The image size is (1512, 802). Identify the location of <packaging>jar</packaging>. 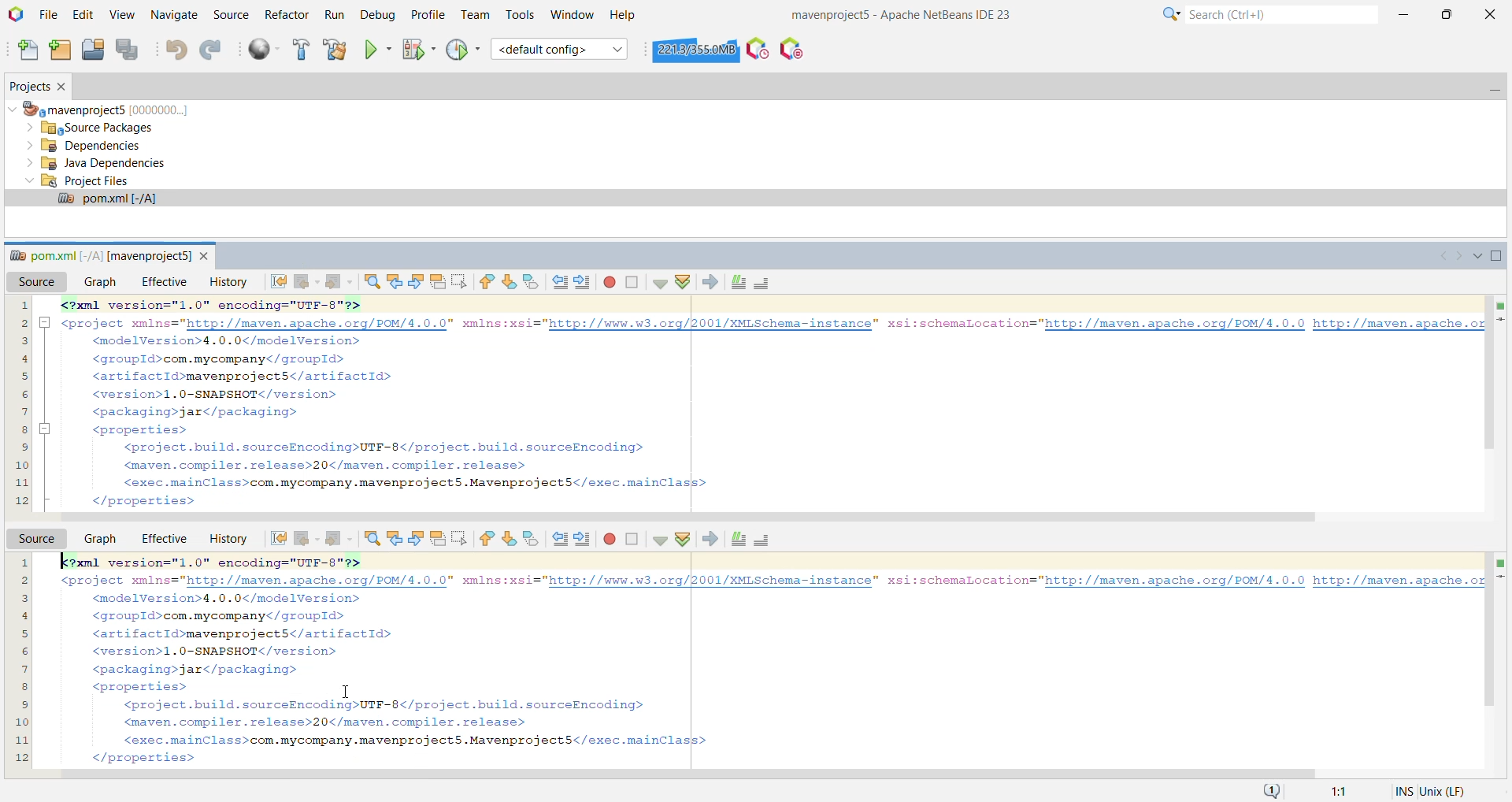
(196, 670).